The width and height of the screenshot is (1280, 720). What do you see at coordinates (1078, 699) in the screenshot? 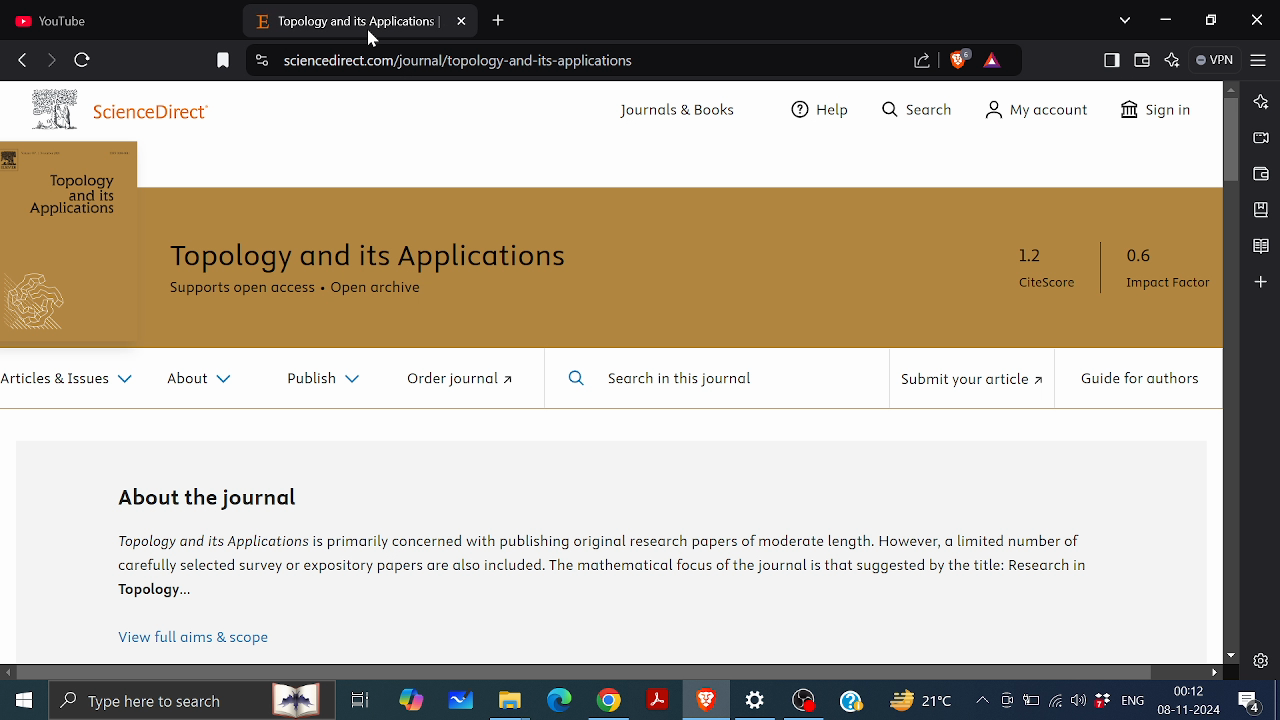
I see `Speaker/headphones` at bounding box center [1078, 699].